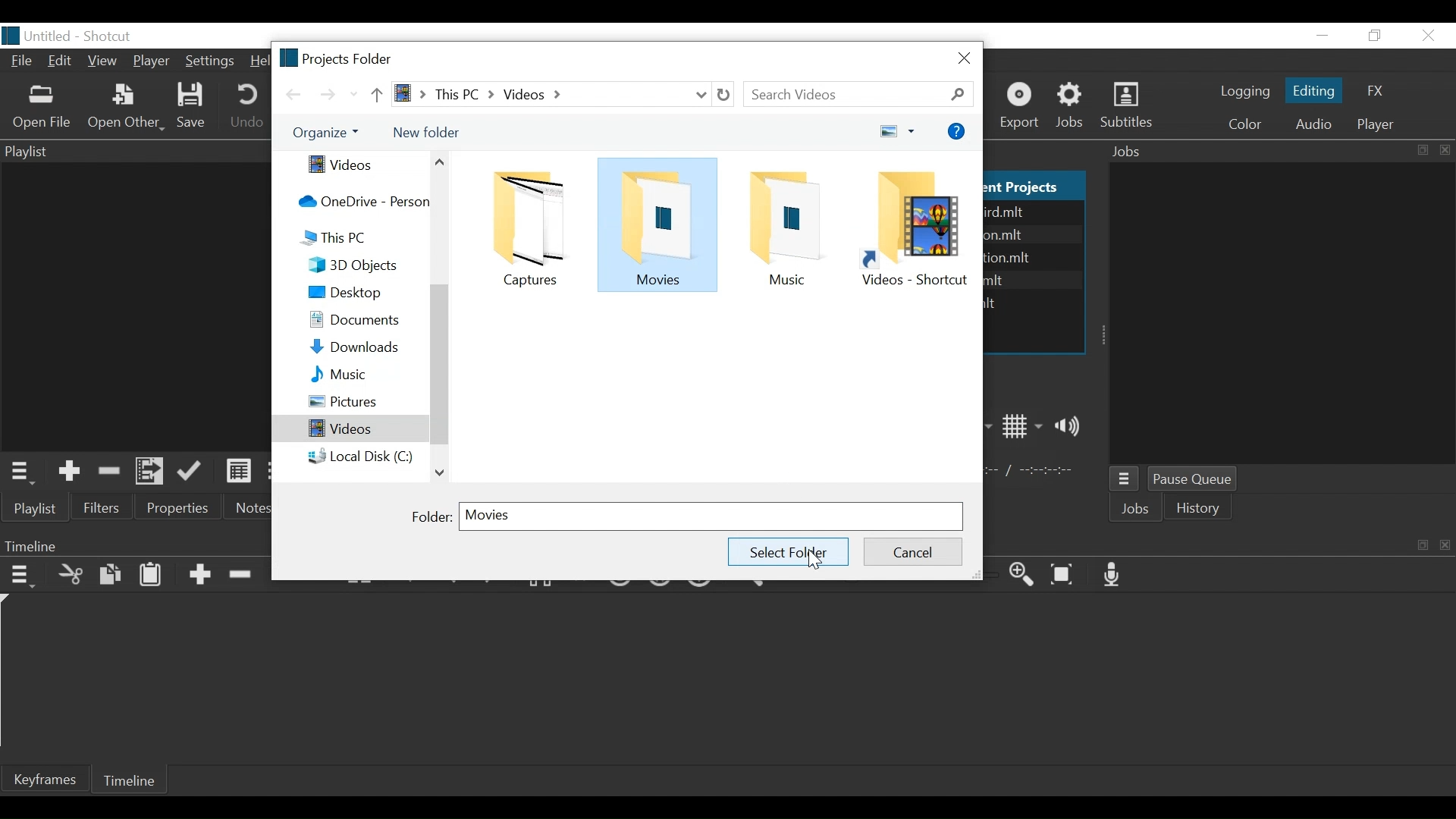 The width and height of the screenshot is (1456, 819). Describe the element at coordinates (1072, 425) in the screenshot. I see `Show volume control` at that location.